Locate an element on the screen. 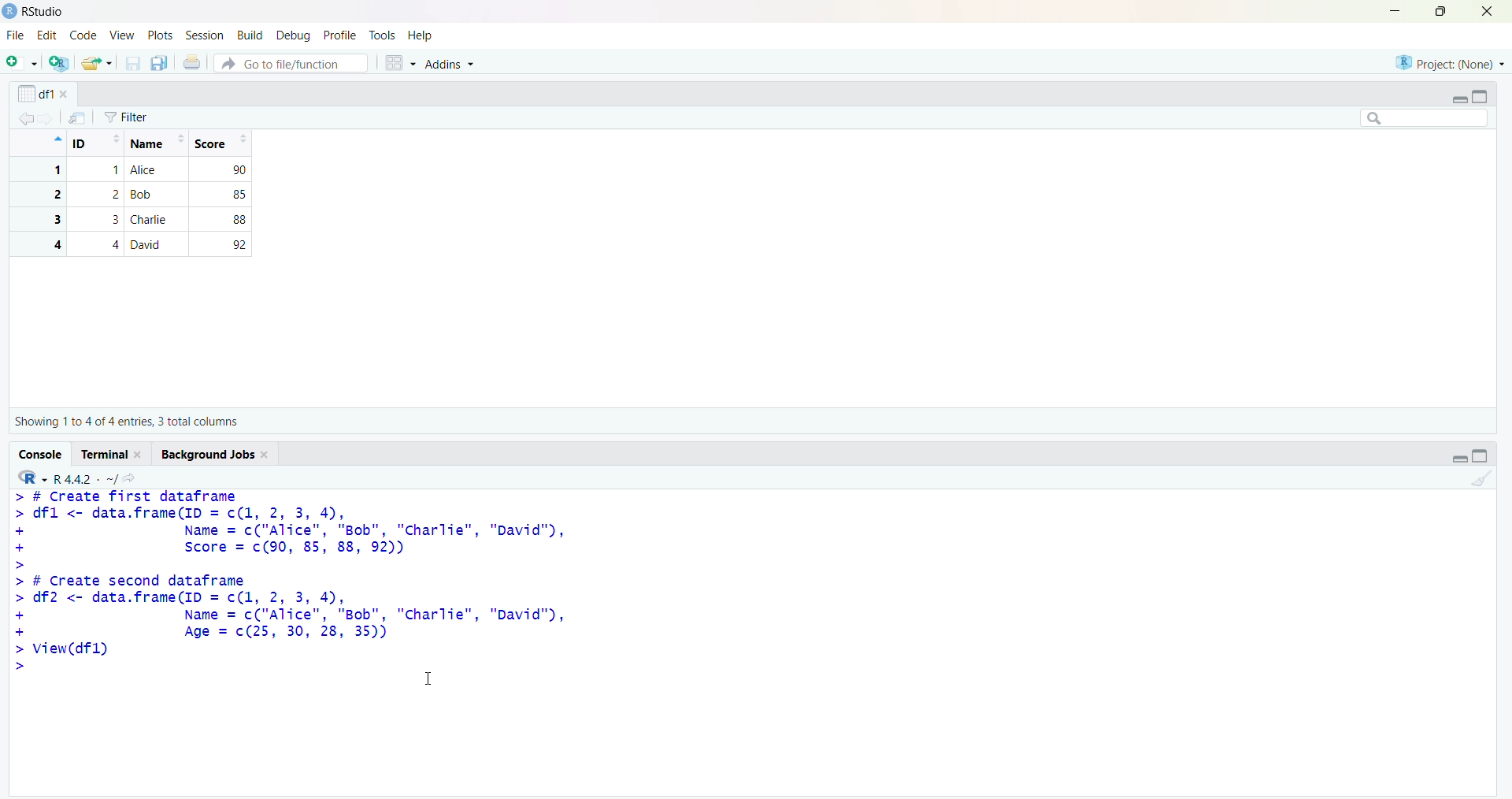 This screenshot has width=1512, height=799. R is located at coordinates (32, 478).